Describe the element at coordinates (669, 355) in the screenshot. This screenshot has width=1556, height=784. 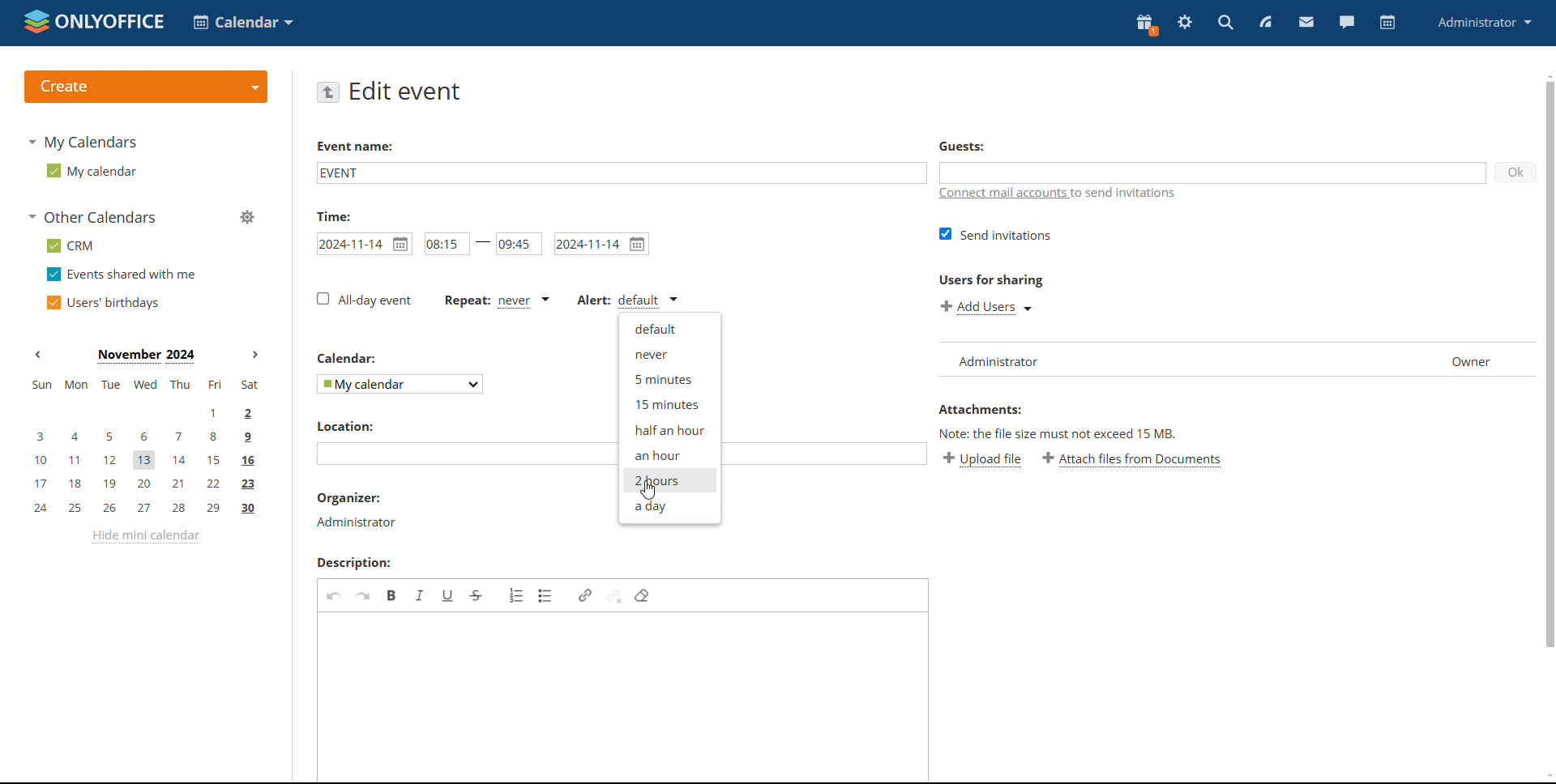
I see `never` at that location.